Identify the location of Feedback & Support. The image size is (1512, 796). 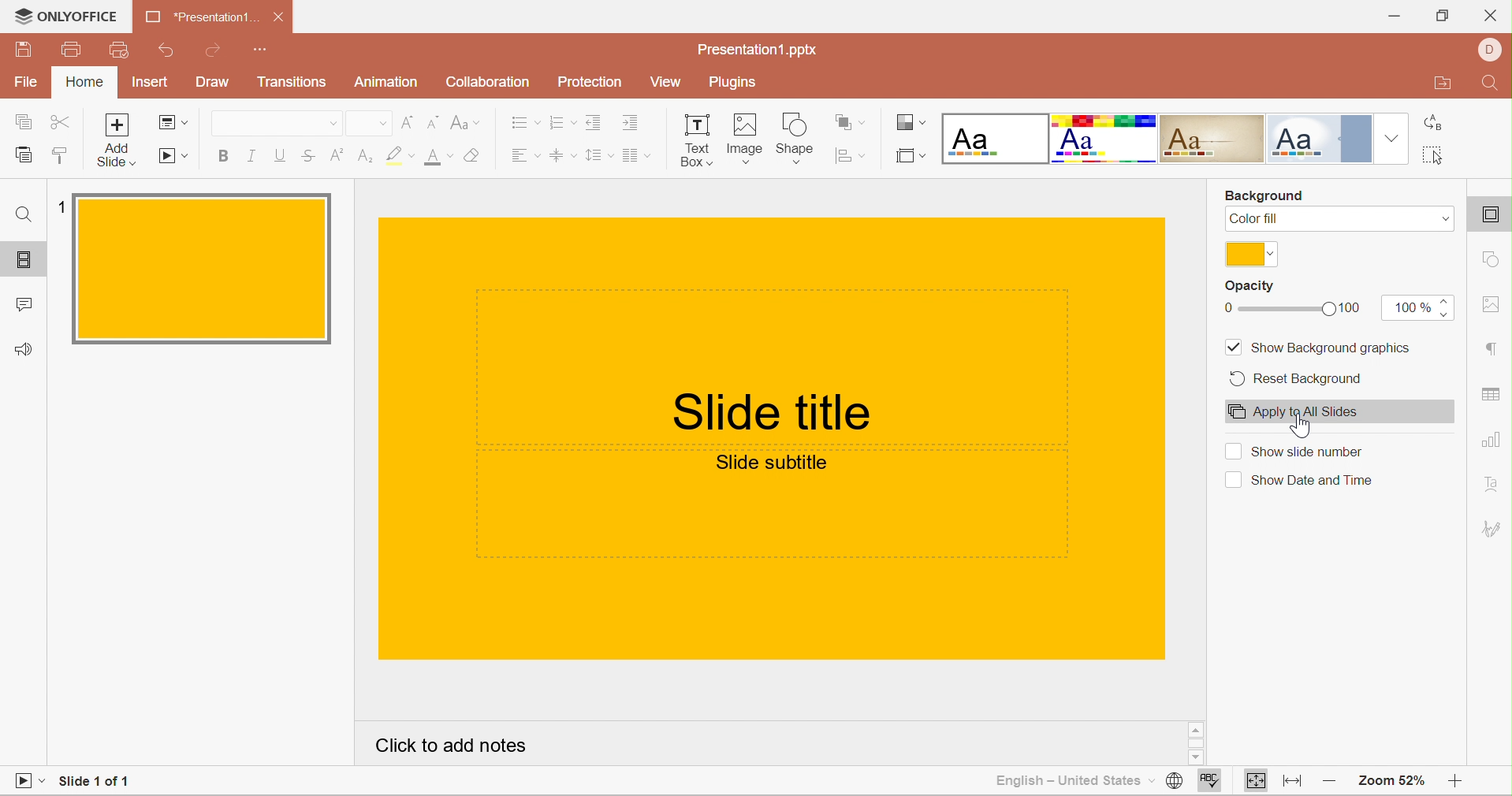
(25, 350).